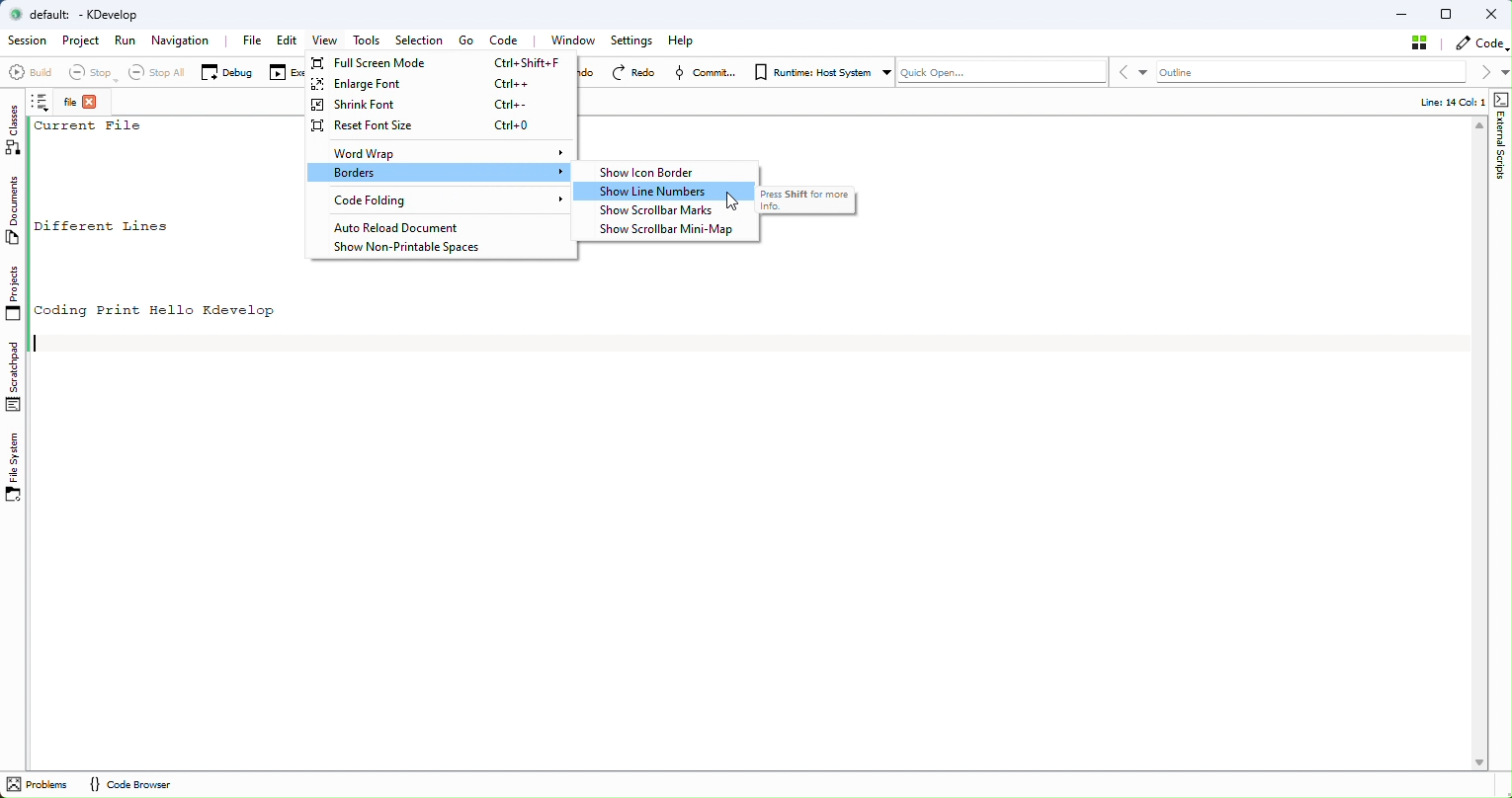 This screenshot has height=798, width=1512. Describe the element at coordinates (670, 192) in the screenshot. I see `Line Numbers` at that location.